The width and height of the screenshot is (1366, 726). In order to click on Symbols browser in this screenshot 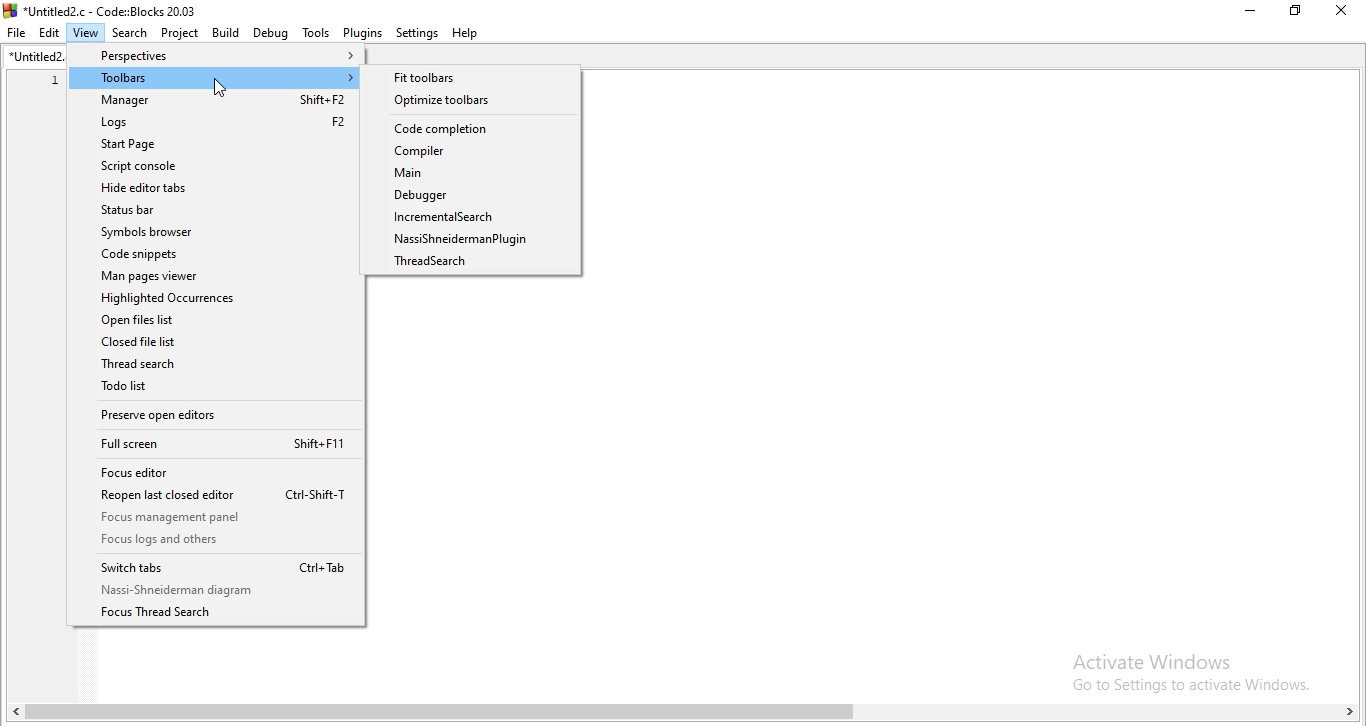, I will do `click(210, 235)`.